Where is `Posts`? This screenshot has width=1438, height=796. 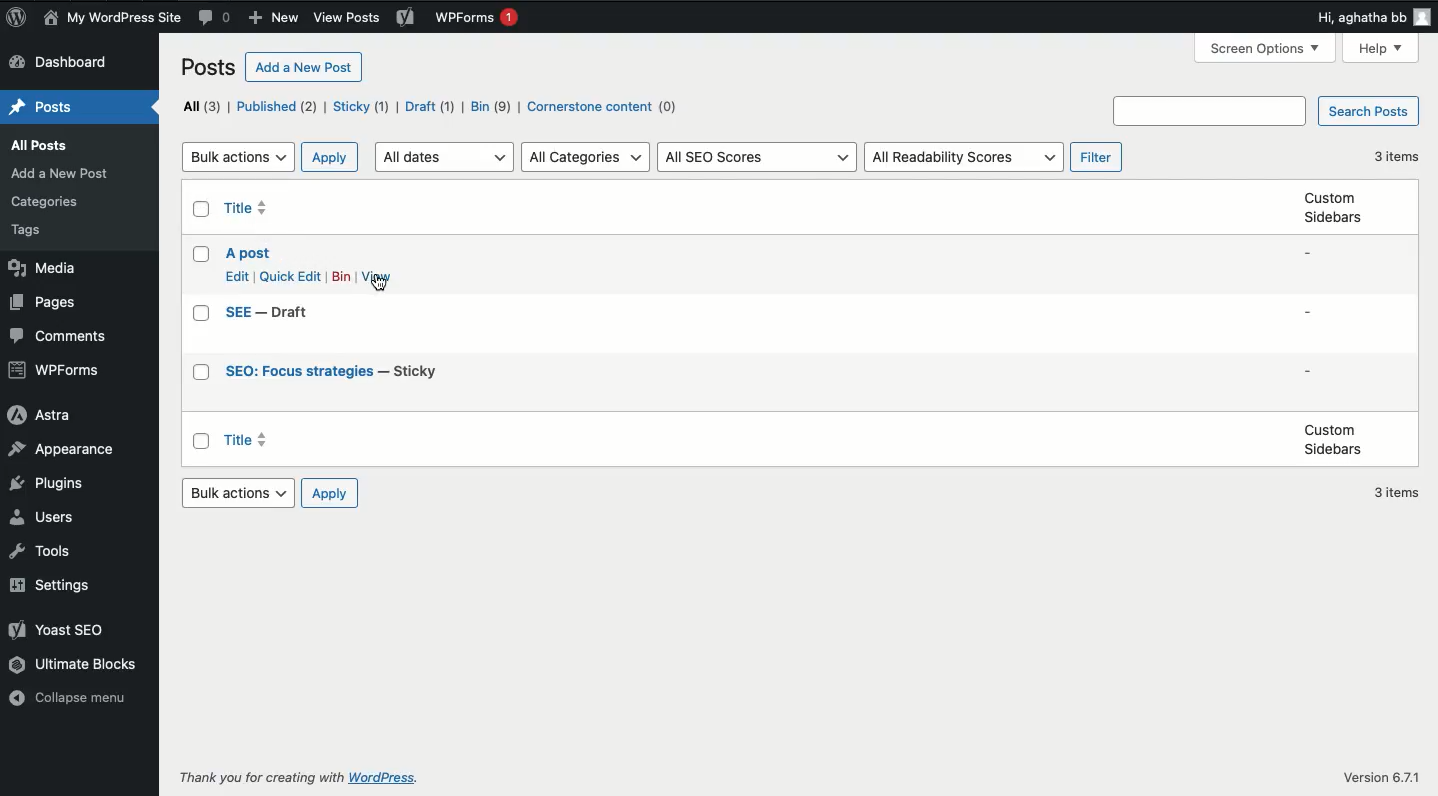 Posts is located at coordinates (42, 106).